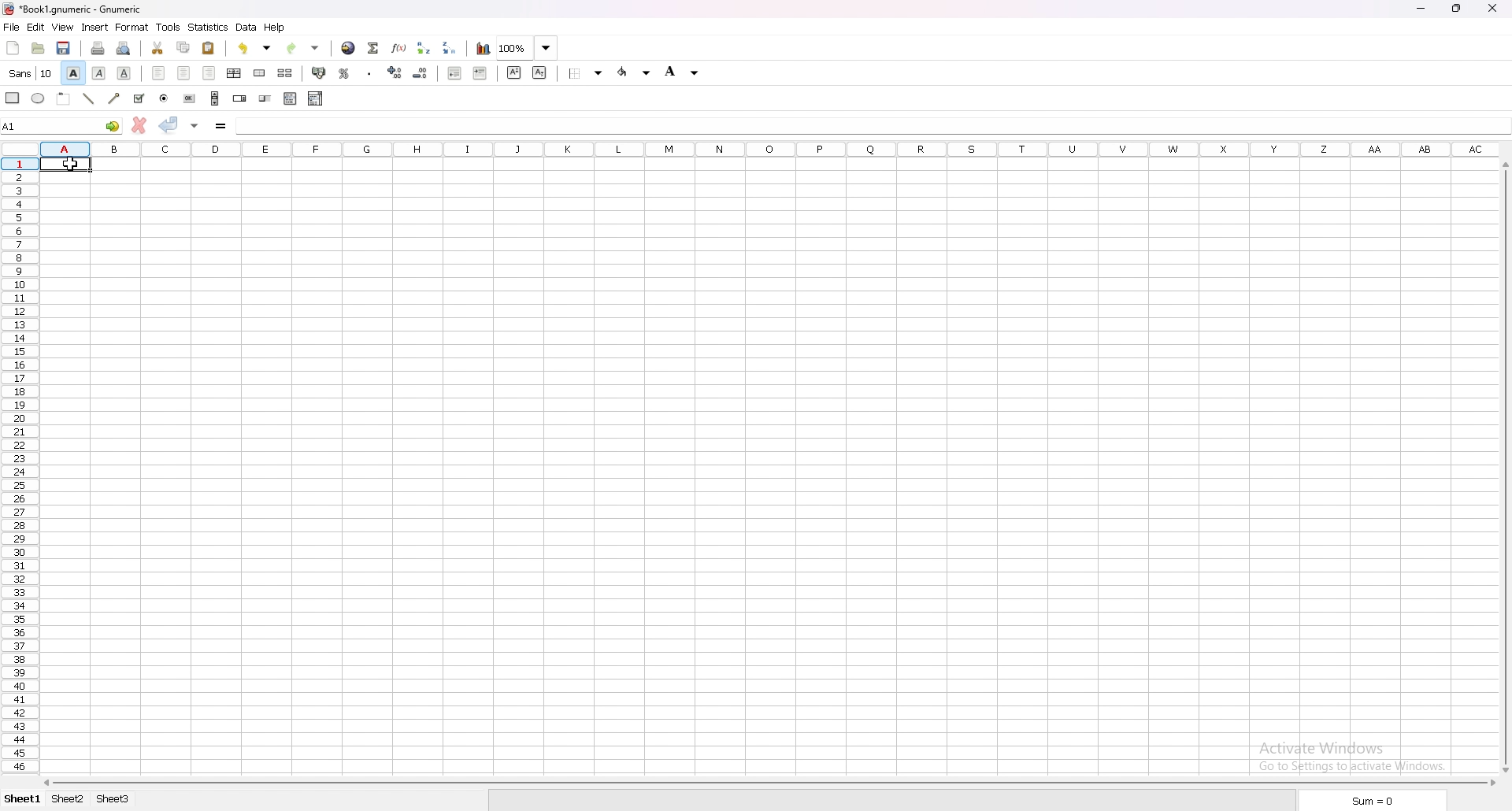 The width and height of the screenshot is (1512, 811). What do you see at coordinates (195, 125) in the screenshot?
I see `accept changes in all cells` at bounding box center [195, 125].